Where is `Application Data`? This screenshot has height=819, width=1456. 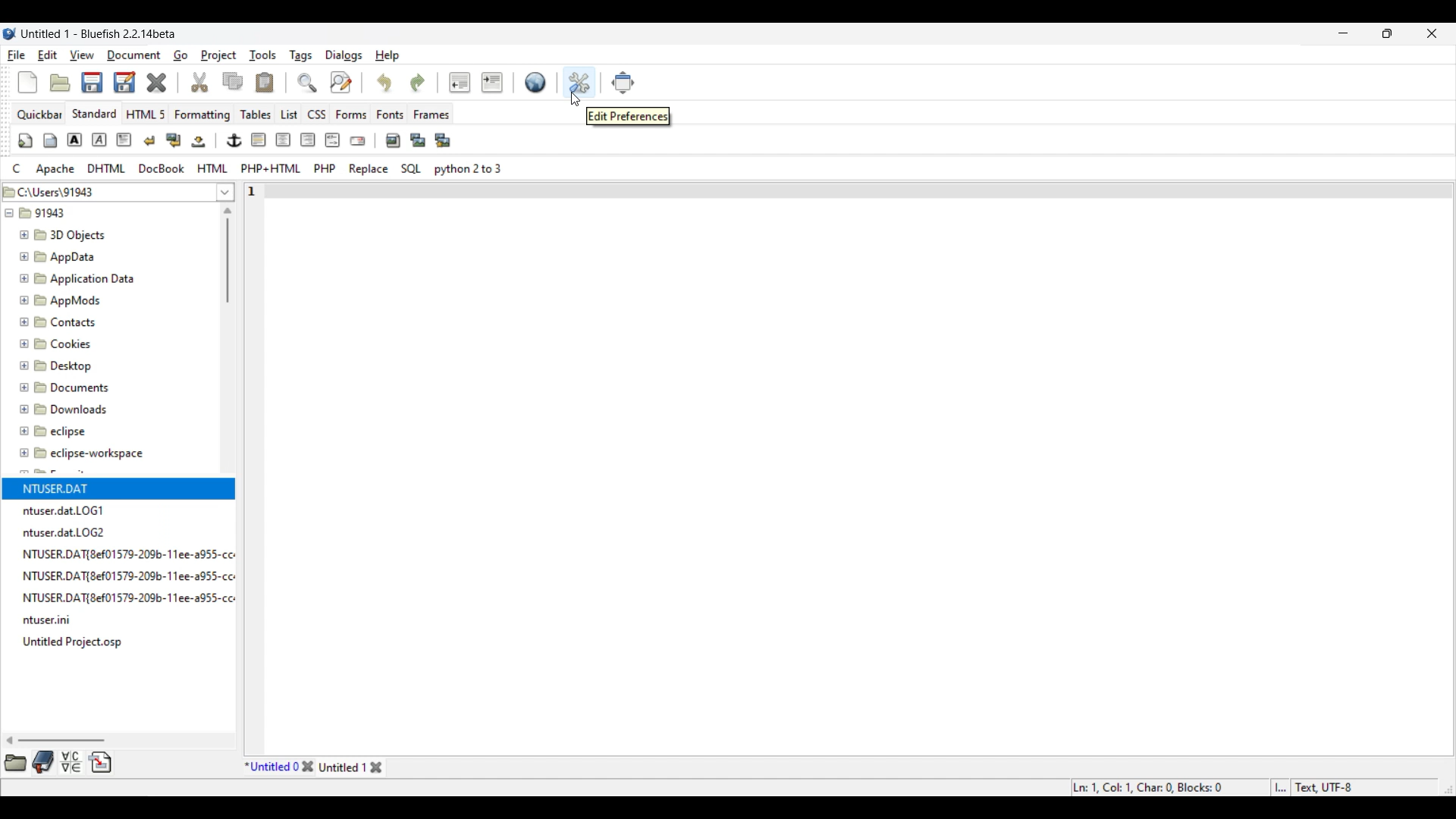 Application Data is located at coordinates (77, 276).